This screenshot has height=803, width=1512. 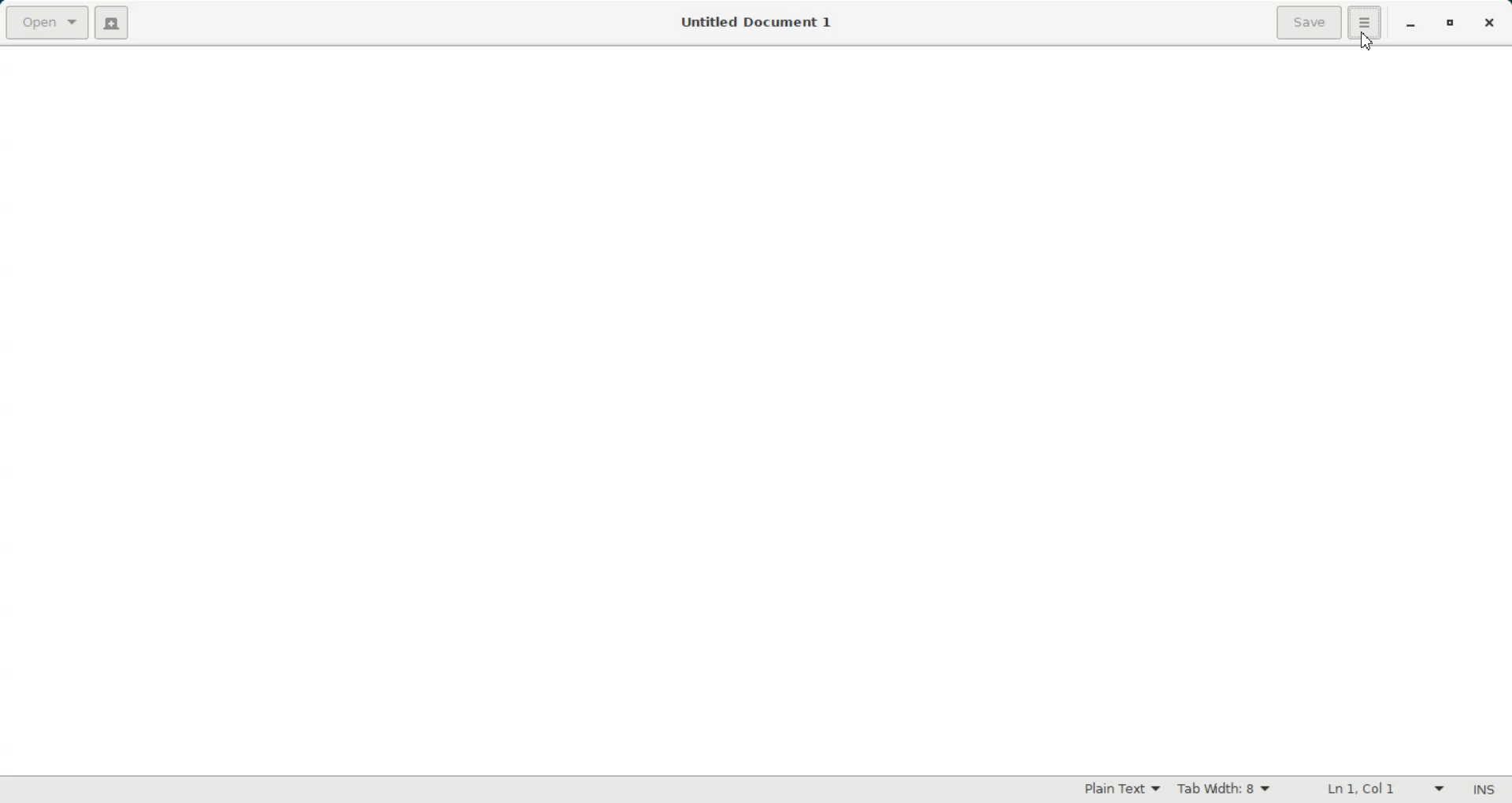 What do you see at coordinates (1485, 790) in the screenshot?
I see `Insert` at bounding box center [1485, 790].